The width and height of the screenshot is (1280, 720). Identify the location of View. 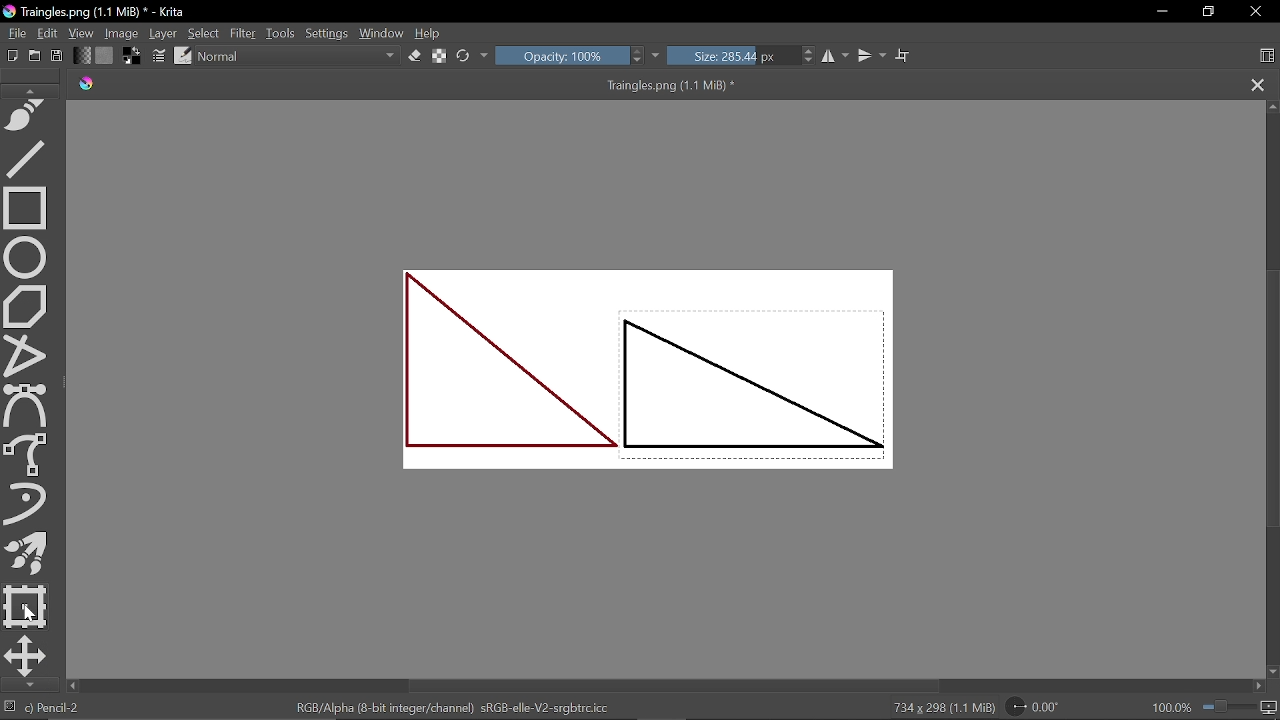
(83, 34).